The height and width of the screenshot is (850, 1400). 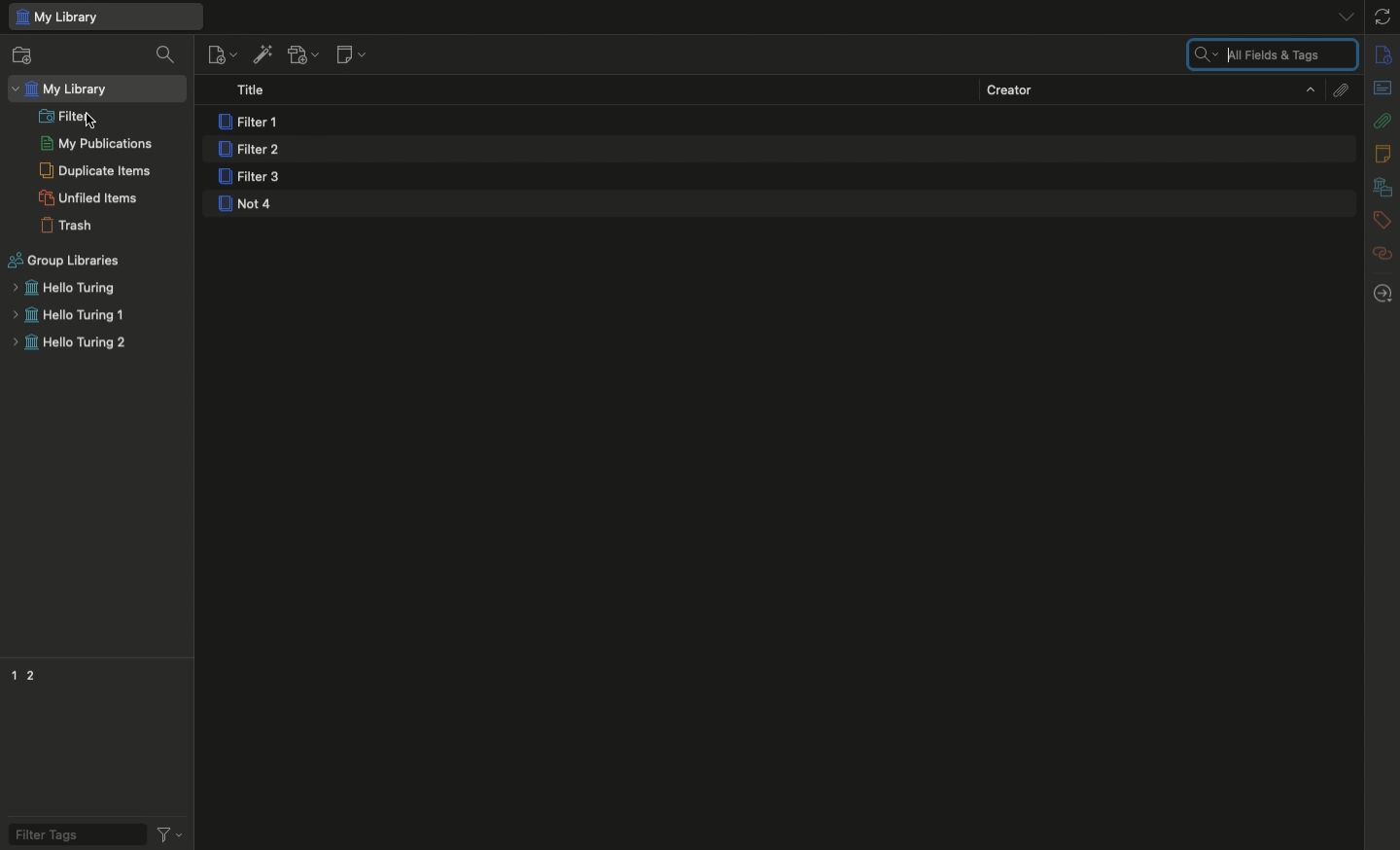 What do you see at coordinates (168, 832) in the screenshot?
I see `Actions` at bounding box center [168, 832].